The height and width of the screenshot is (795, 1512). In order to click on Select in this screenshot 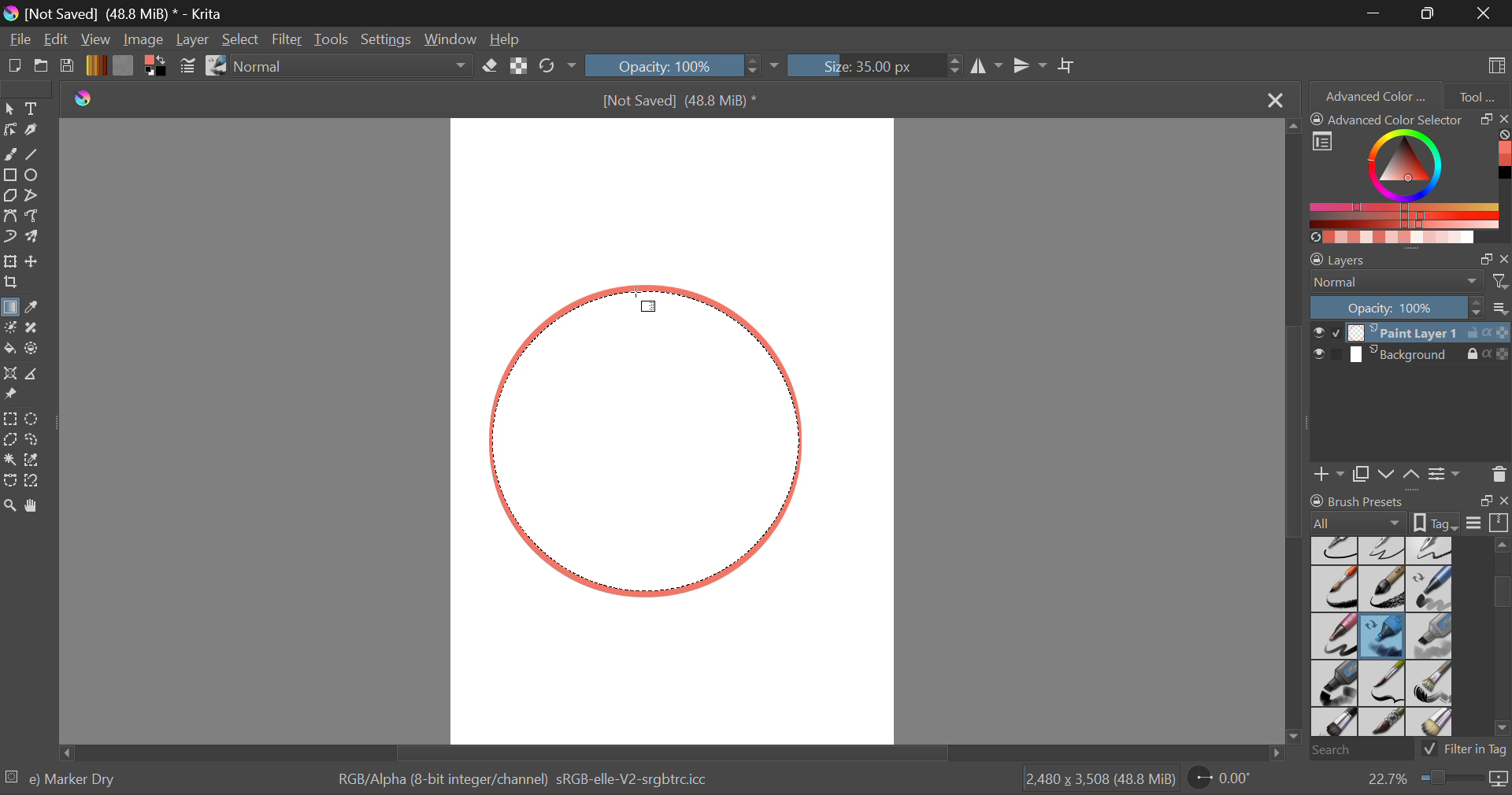, I will do `click(242, 41)`.